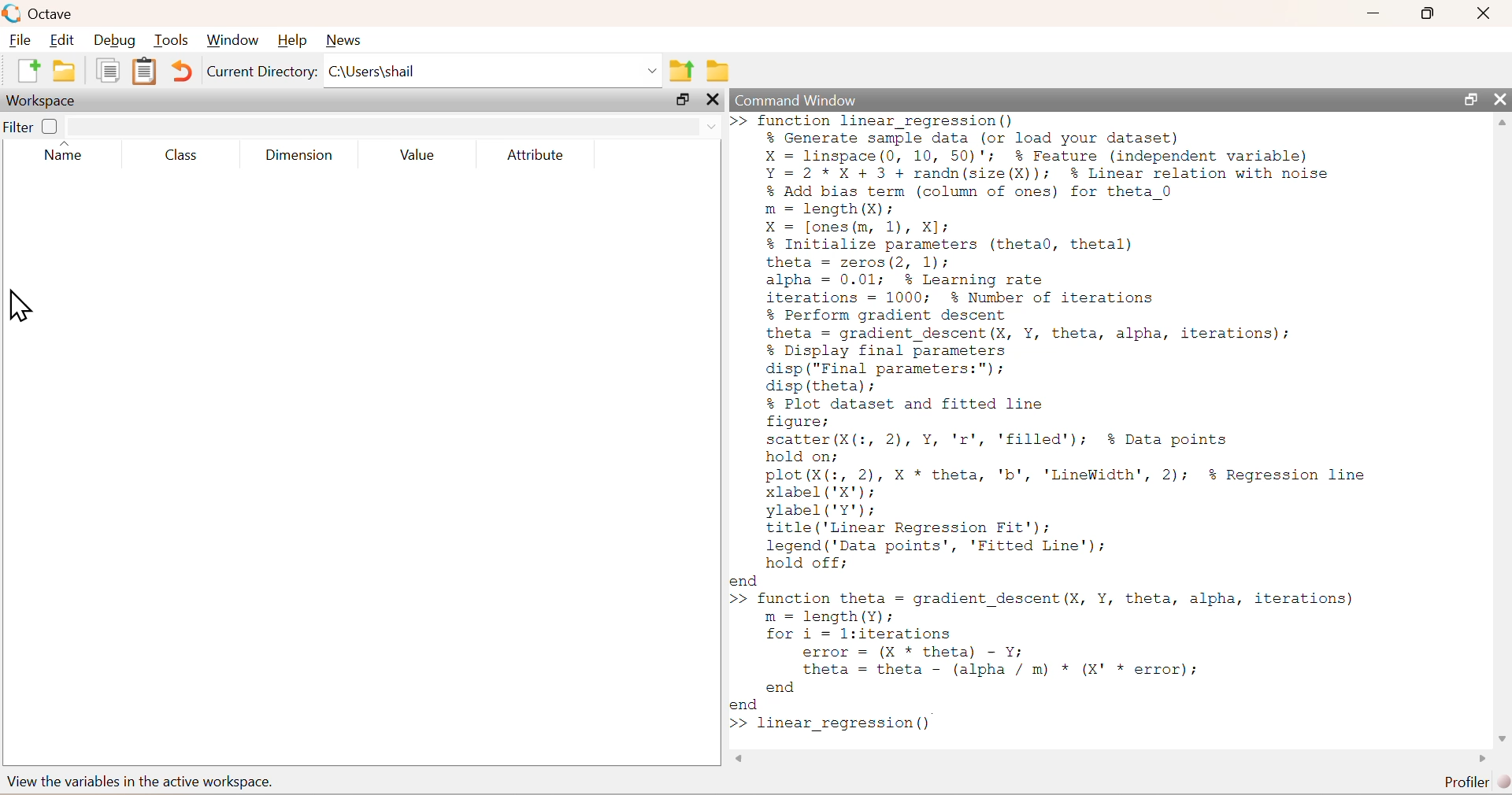 The image size is (1512, 795). Describe the element at coordinates (1475, 782) in the screenshot. I see `Profiler` at that location.